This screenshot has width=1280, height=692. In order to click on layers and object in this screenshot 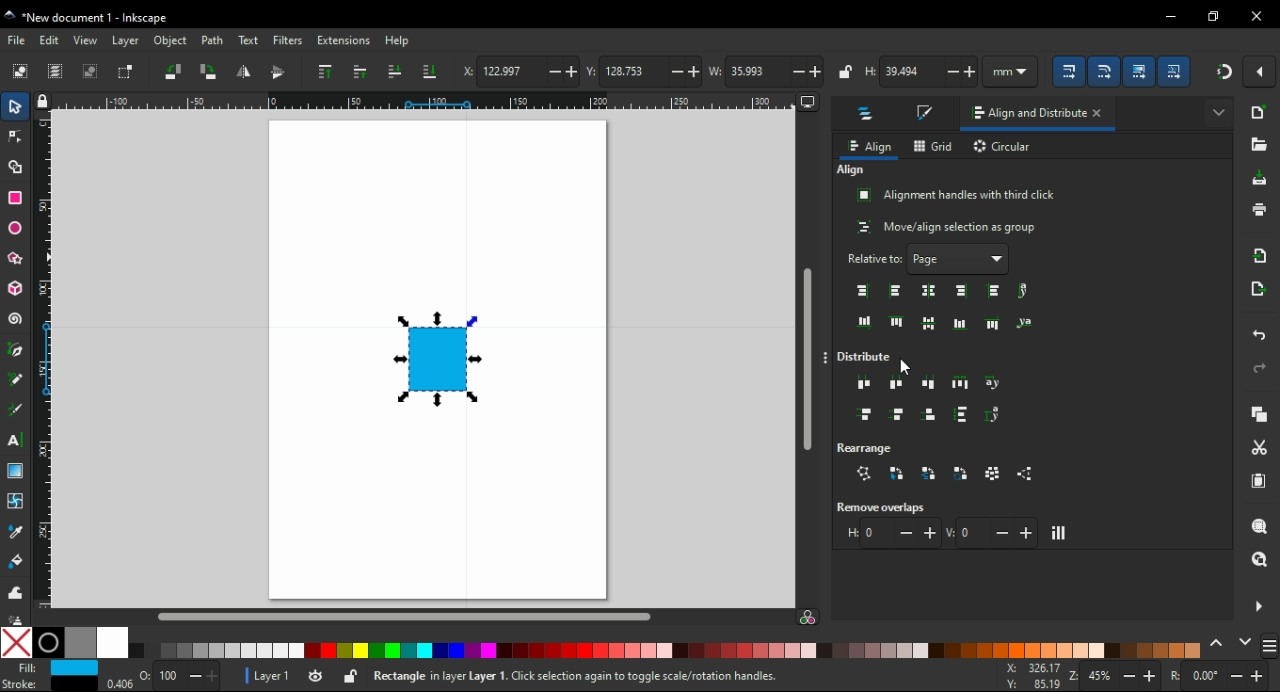, I will do `click(868, 116)`.